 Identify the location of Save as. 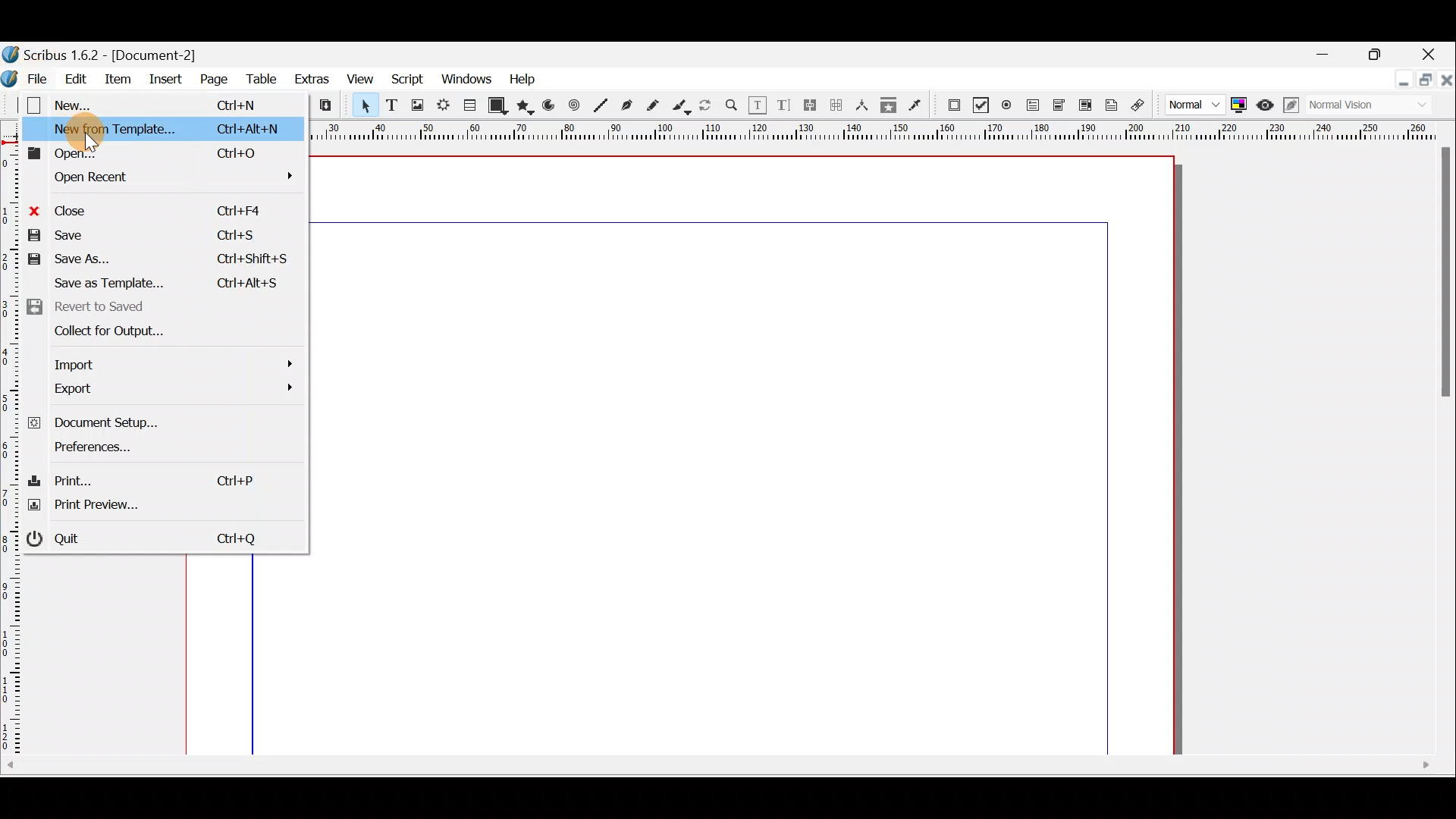
(158, 257).